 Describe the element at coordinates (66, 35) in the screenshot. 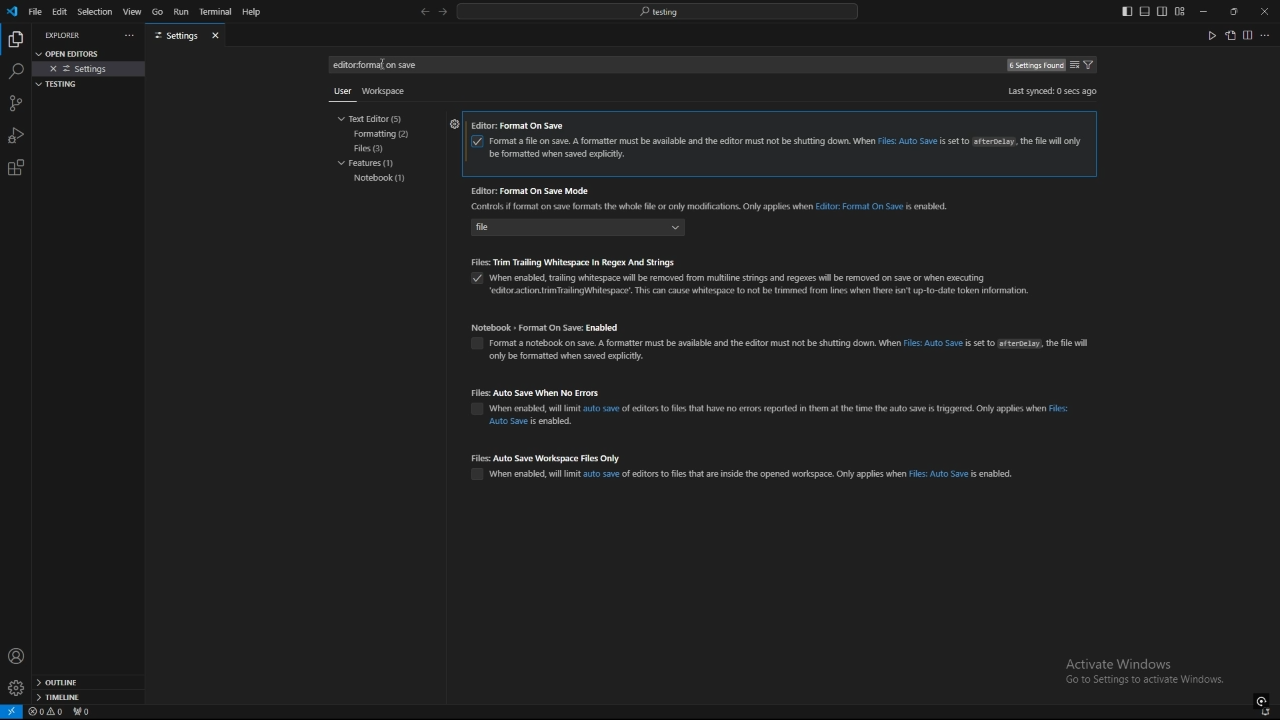

I see `explorer` at that location.